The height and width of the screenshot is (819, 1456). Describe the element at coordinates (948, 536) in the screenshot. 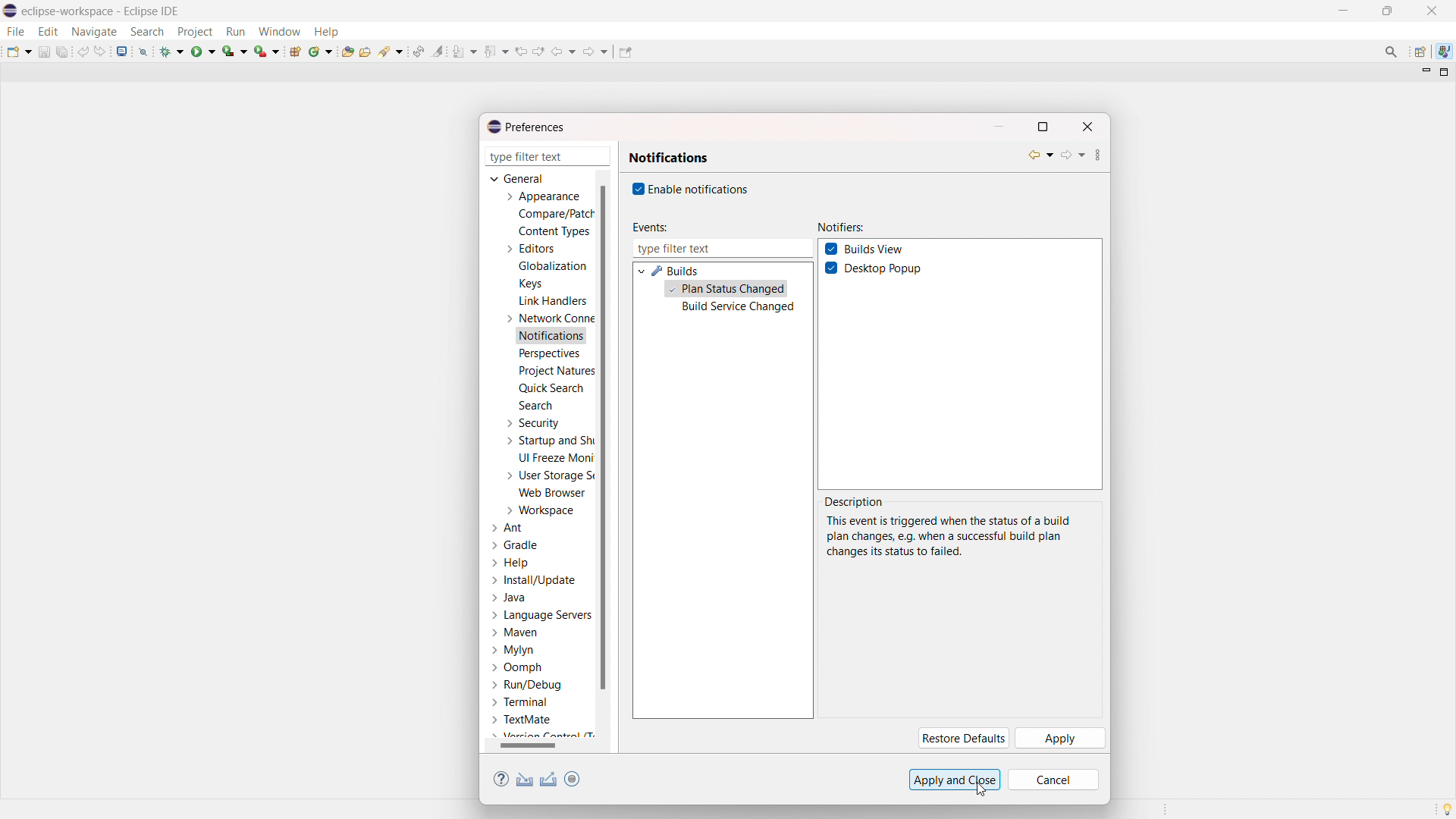

I see `description` at that location.